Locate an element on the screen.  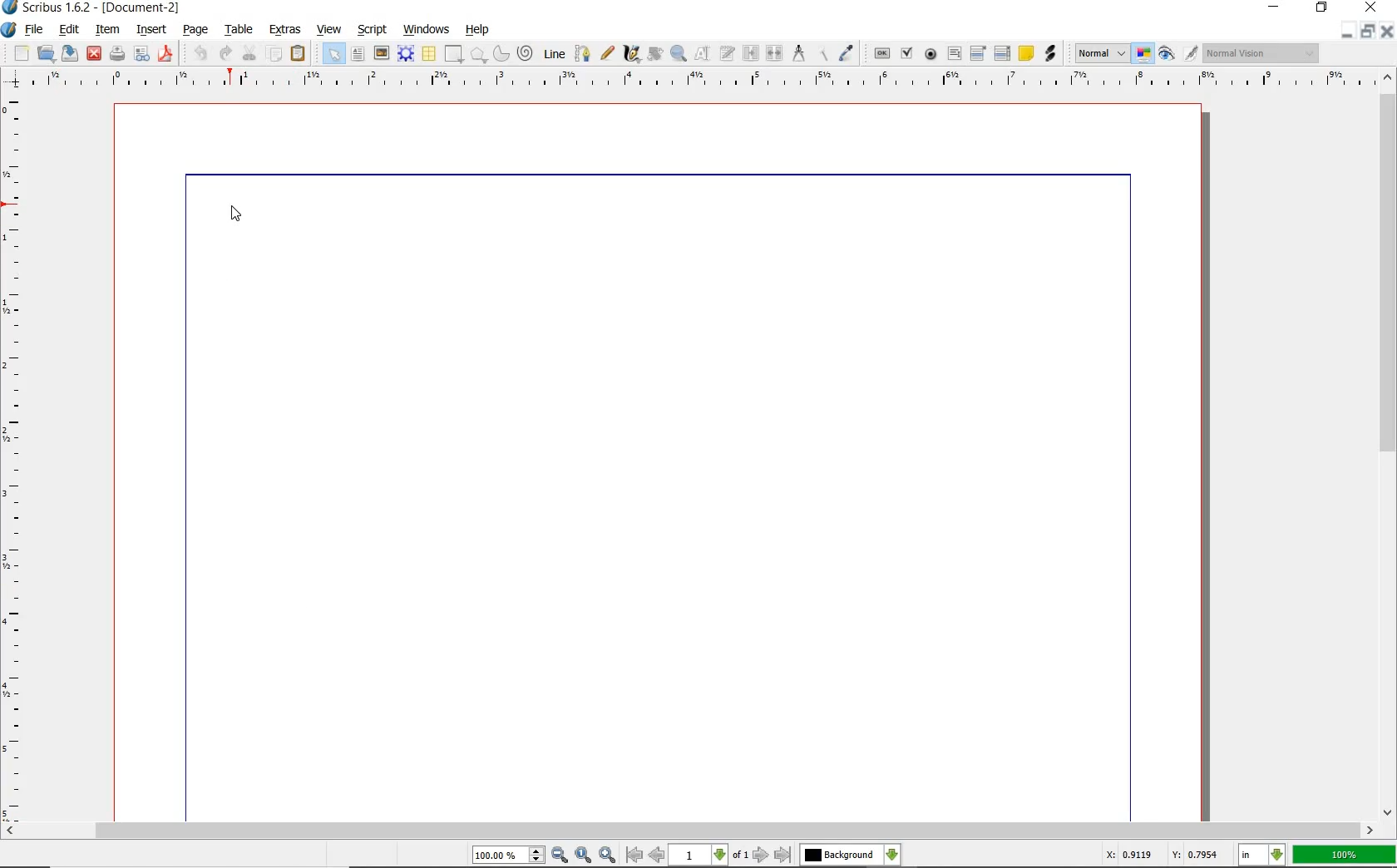
table is located at coordinates (241, 31).